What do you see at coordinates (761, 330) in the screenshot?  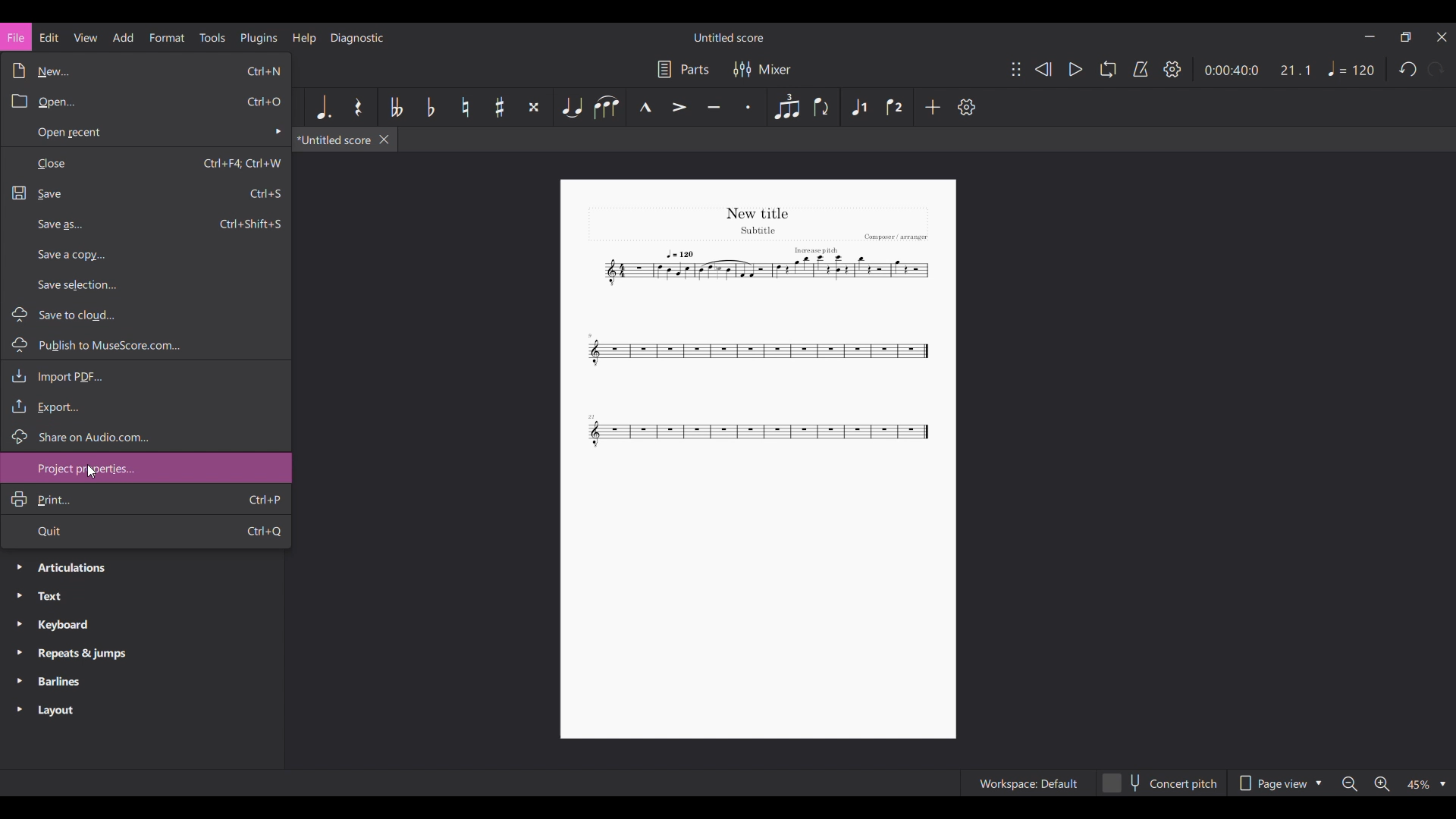 I see `Current score` at bounding box center [761, 330].